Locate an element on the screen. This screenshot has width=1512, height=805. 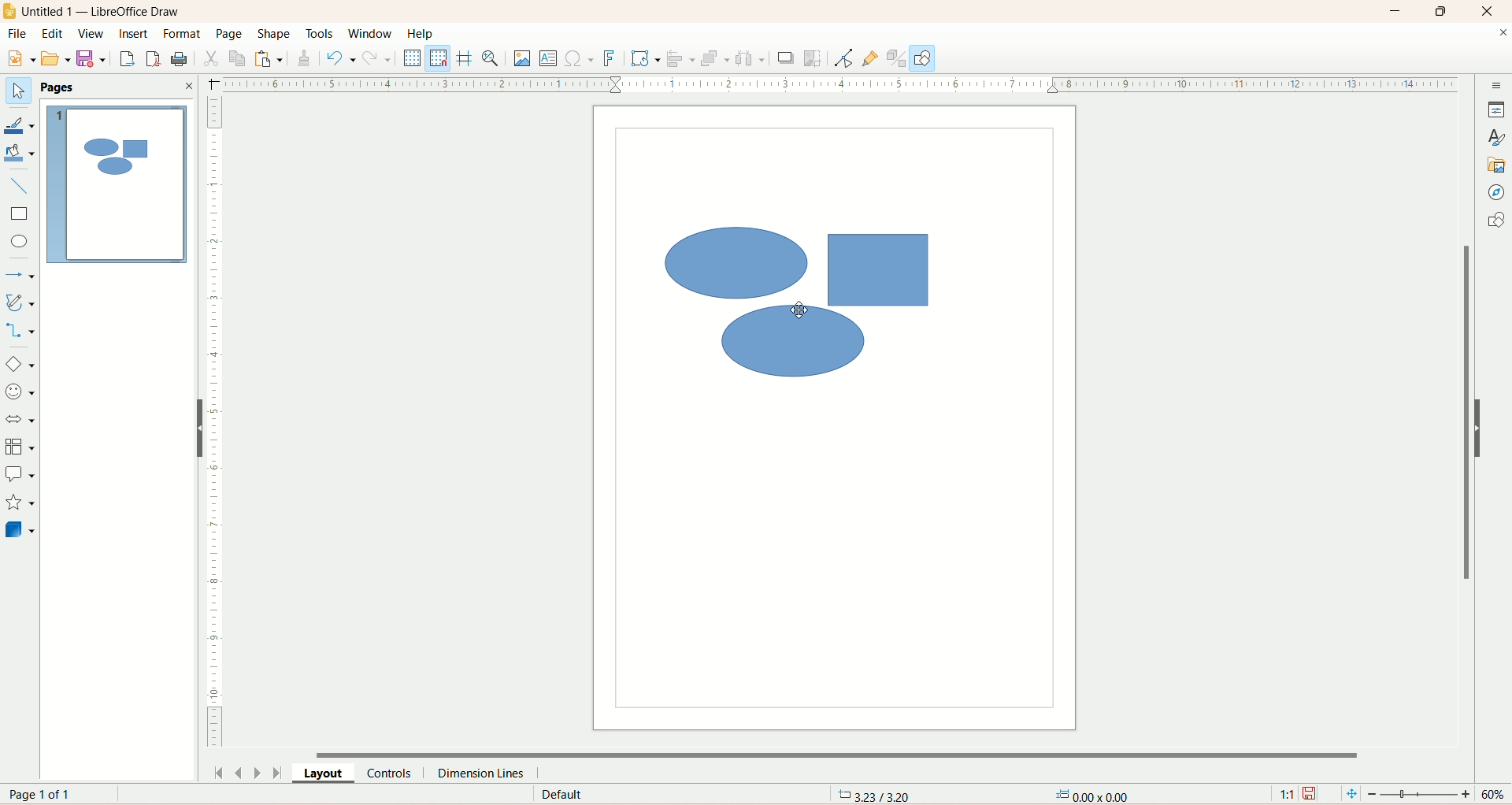
new is located at coordinates (20, 58).